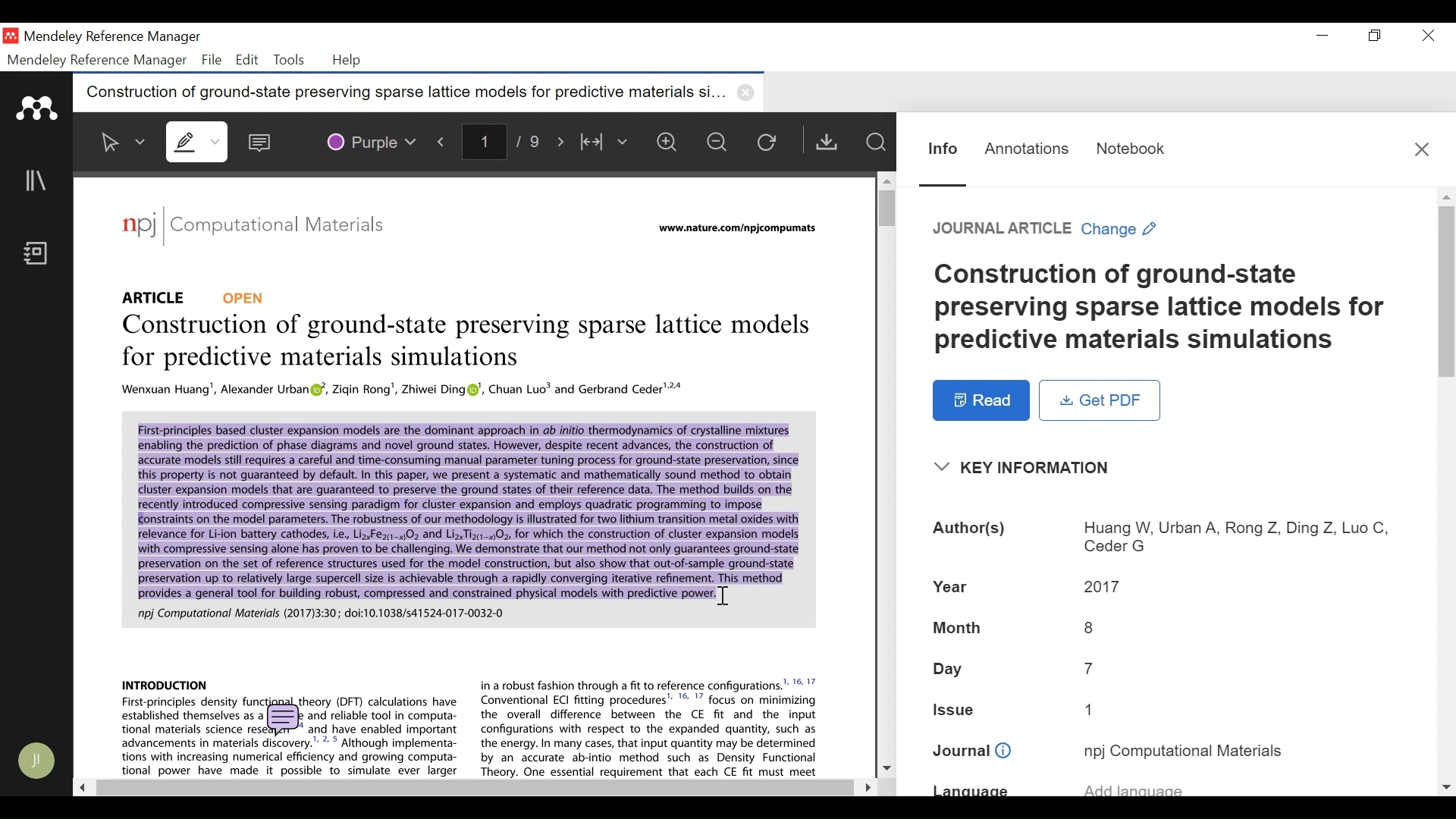  Describe the element at coordinates (1090, 668) in the screenshot. I see `Day` at that location.